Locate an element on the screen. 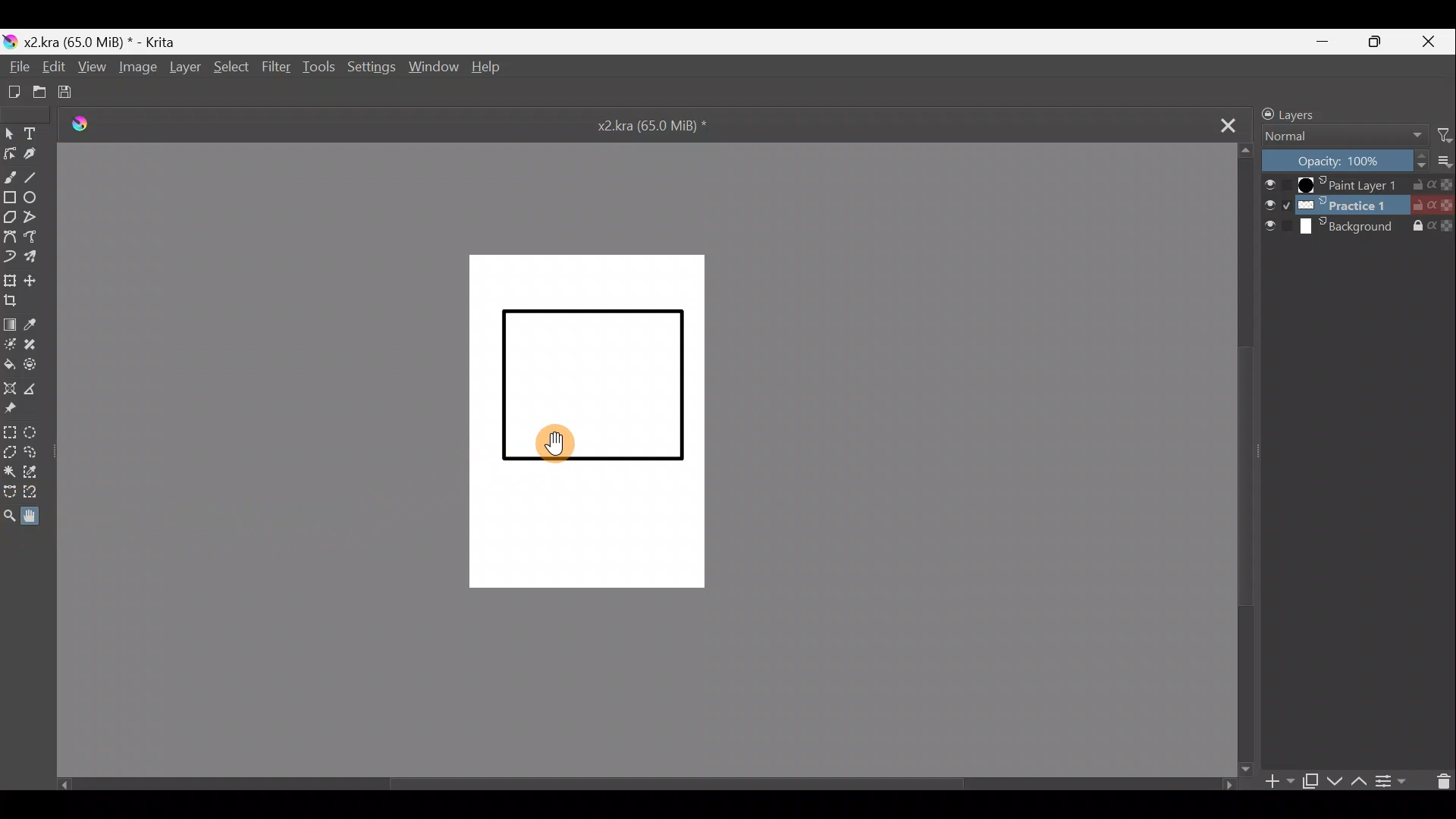  Measure distance between two points is located at coordinates (33, 386).